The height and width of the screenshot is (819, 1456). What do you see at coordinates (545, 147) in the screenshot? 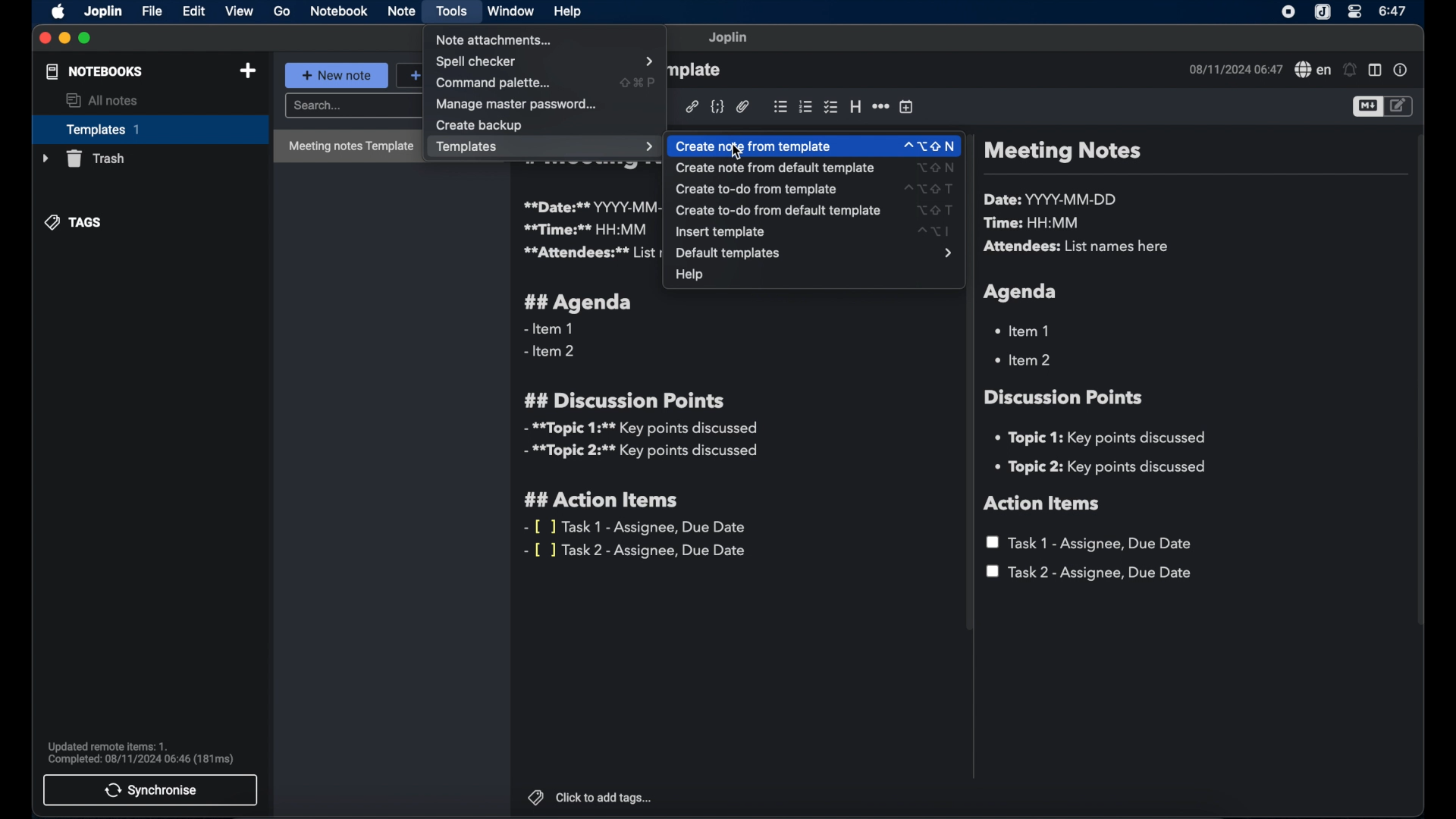
I see `templates menu` at bounding box center [545, 147].